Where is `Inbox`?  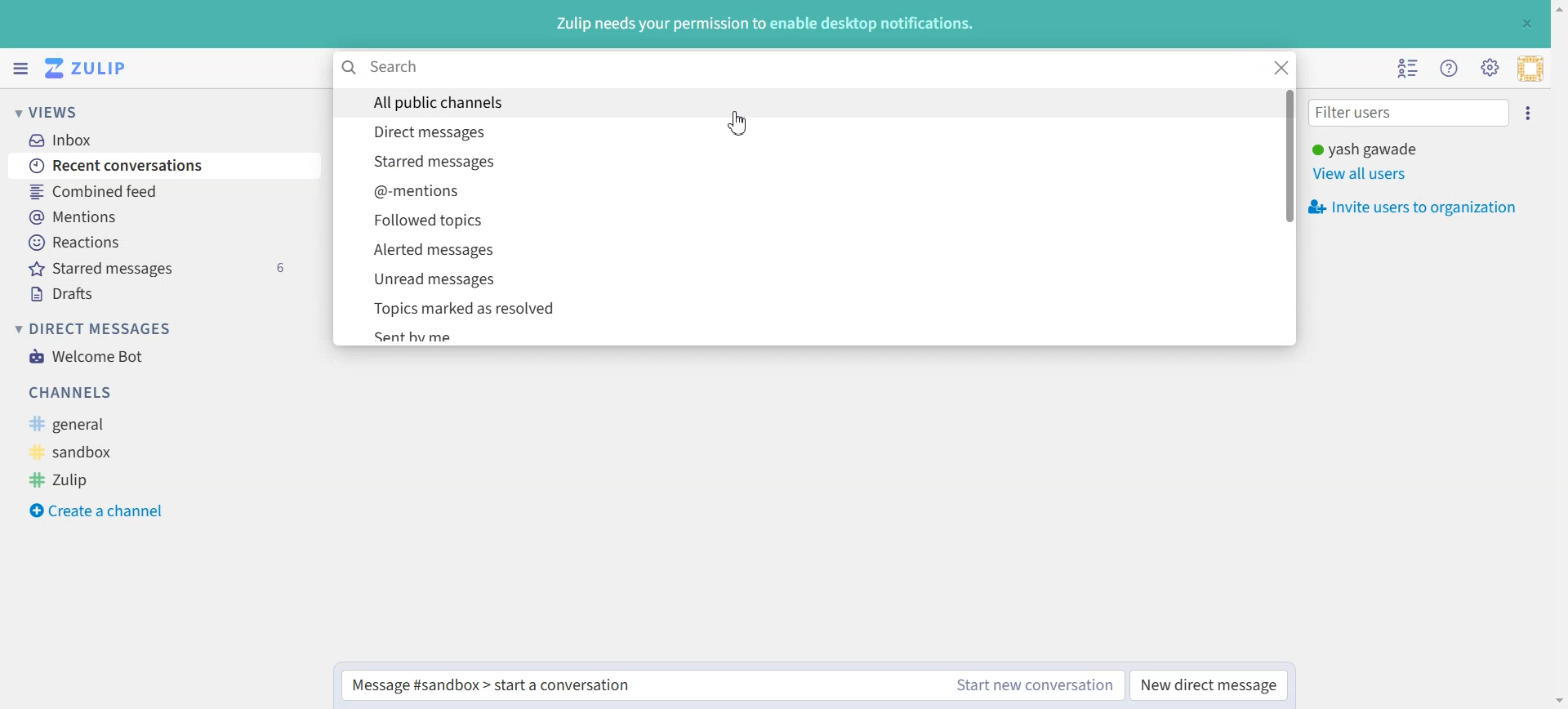
Inbox is located at coordinates (155, 138).